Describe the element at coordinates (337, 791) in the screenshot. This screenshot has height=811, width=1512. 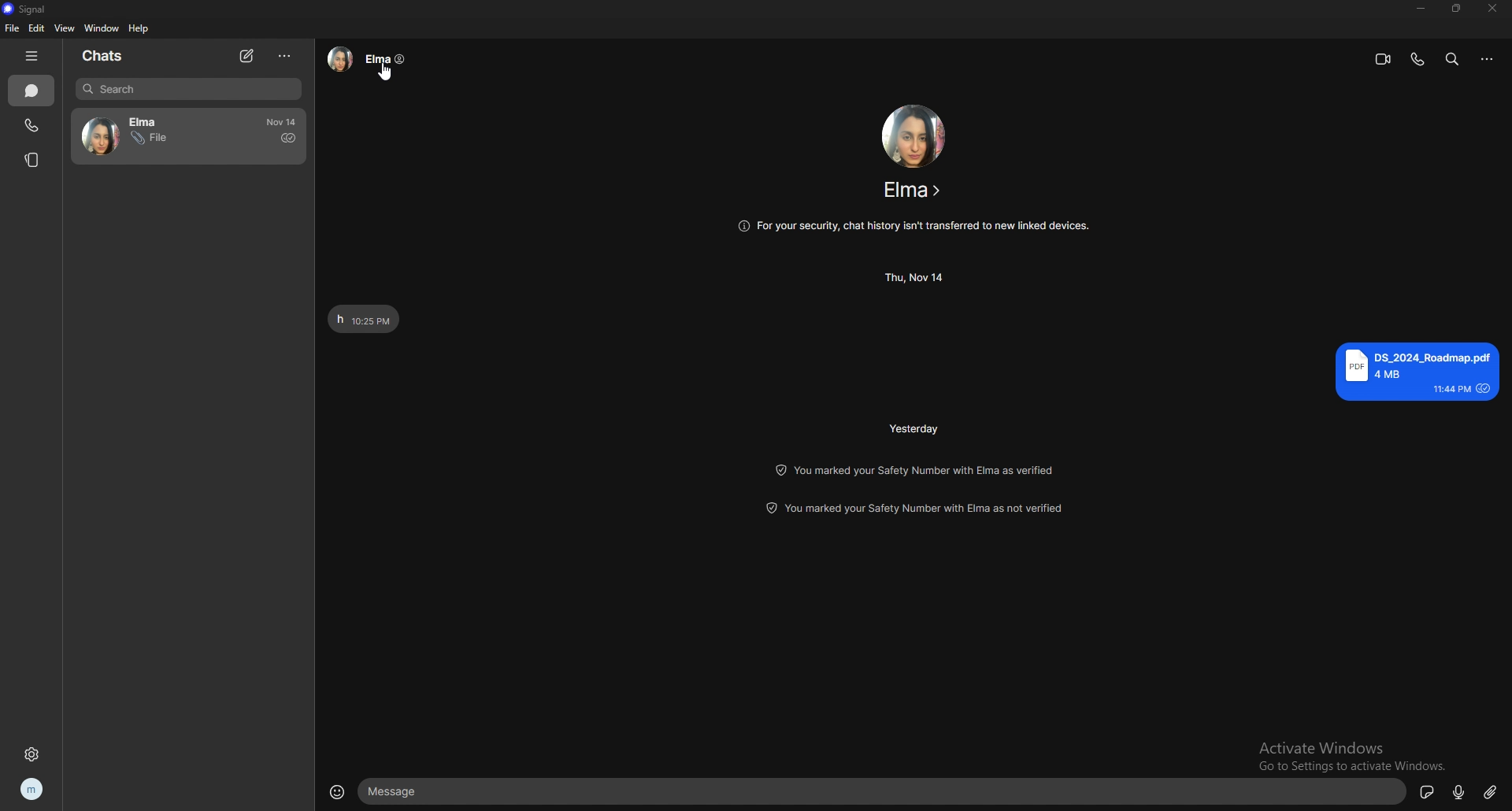
I see `emoji` at that location.